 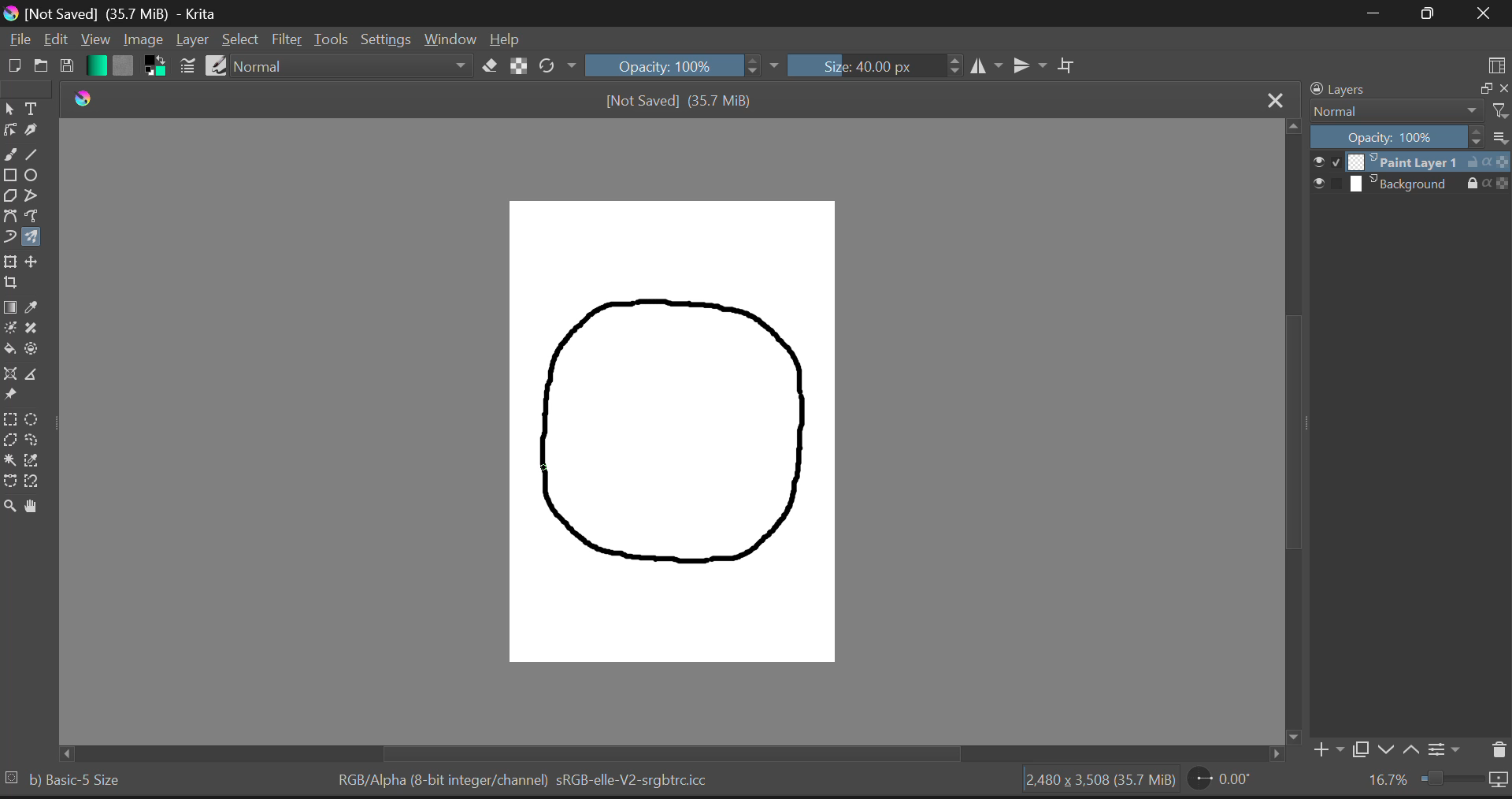 What do you see at coordinates (1484, 15) in the screenshot?
I see `Close` at bounding box center [1484, 15].